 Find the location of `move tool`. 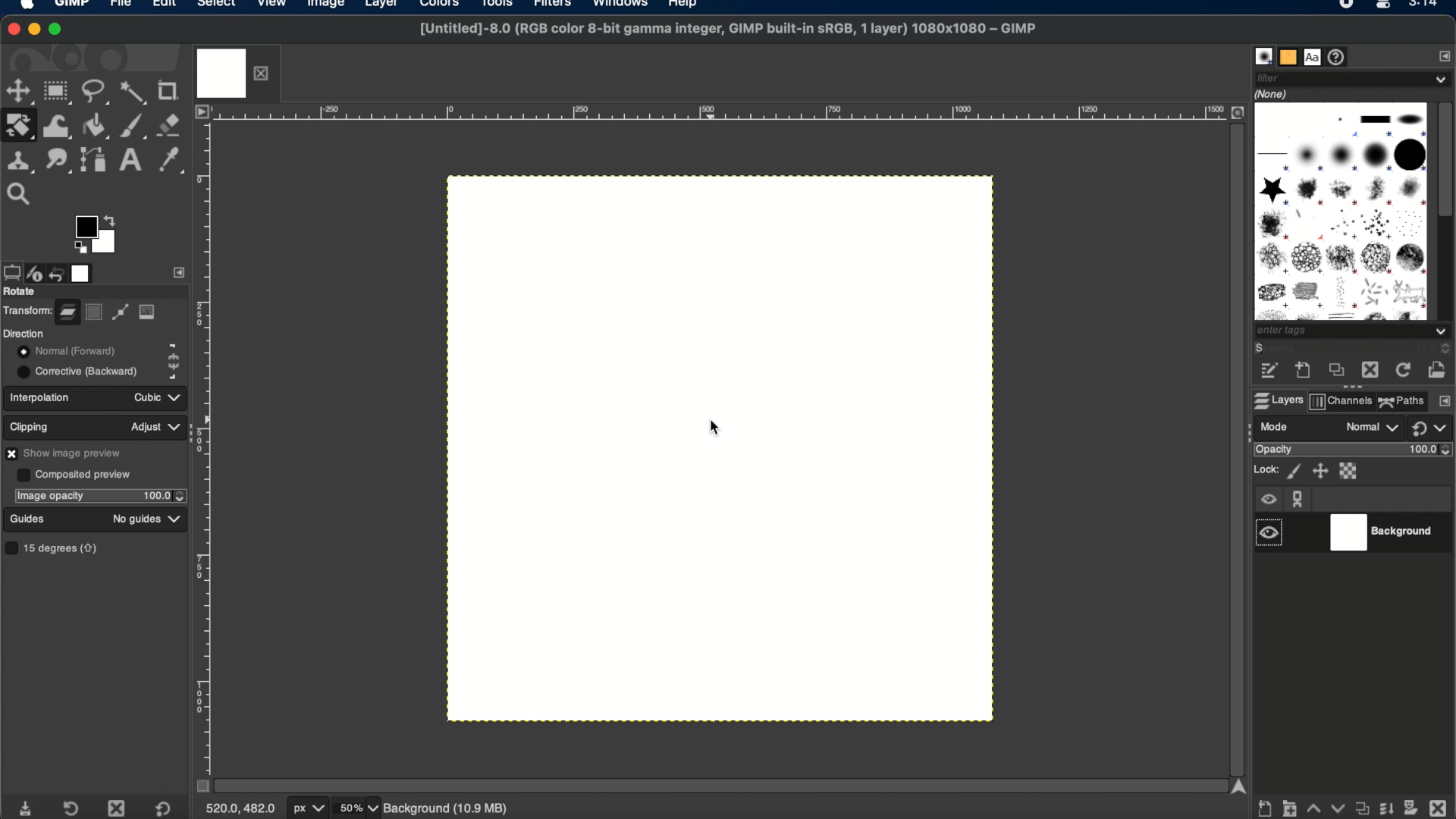

move tool is located at coordinates (19, 91).